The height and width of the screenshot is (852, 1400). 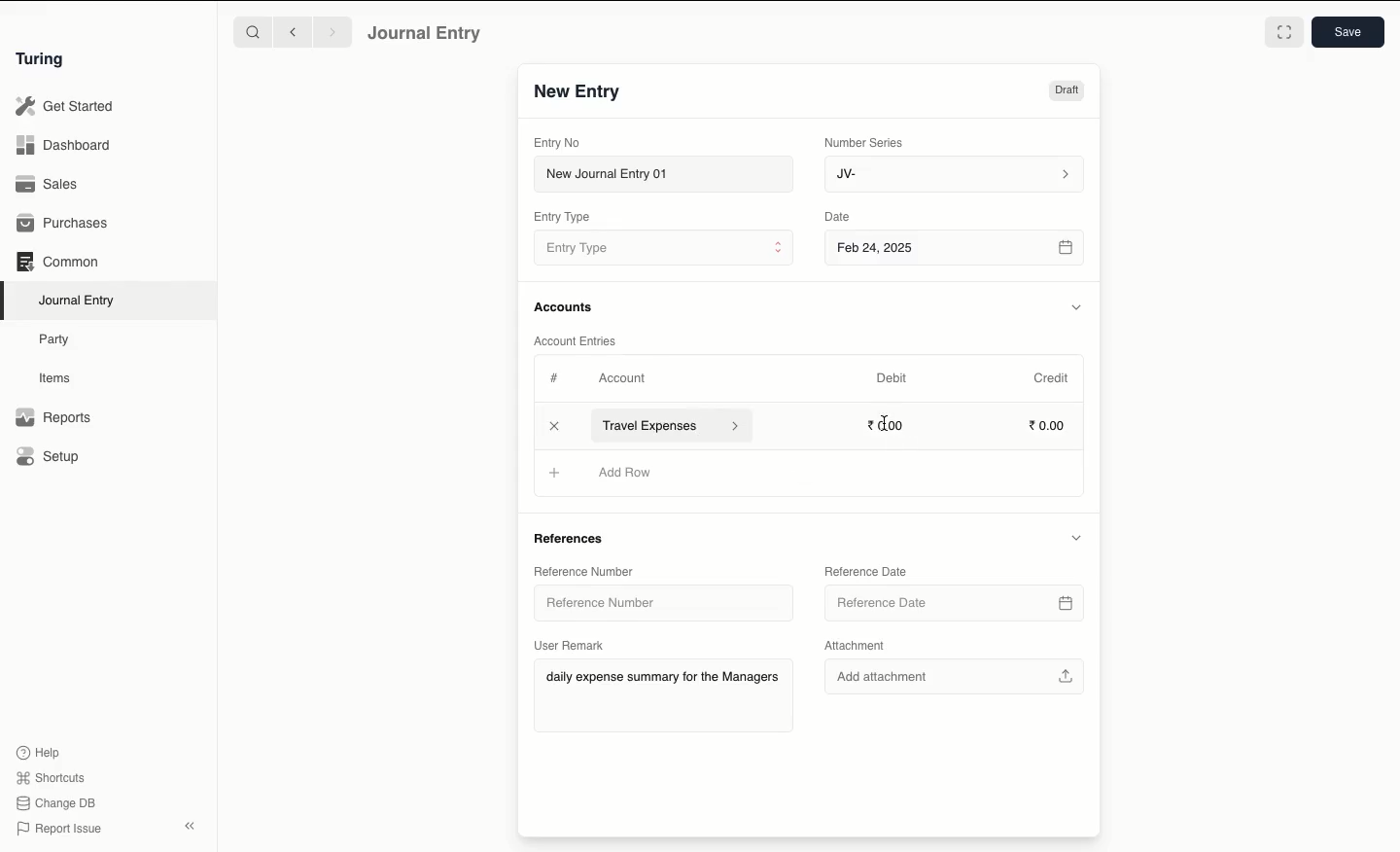 What do you see at coordinates (66, 107) in the screenshot?
I see `Get Started` at bounding box center [66, 107].